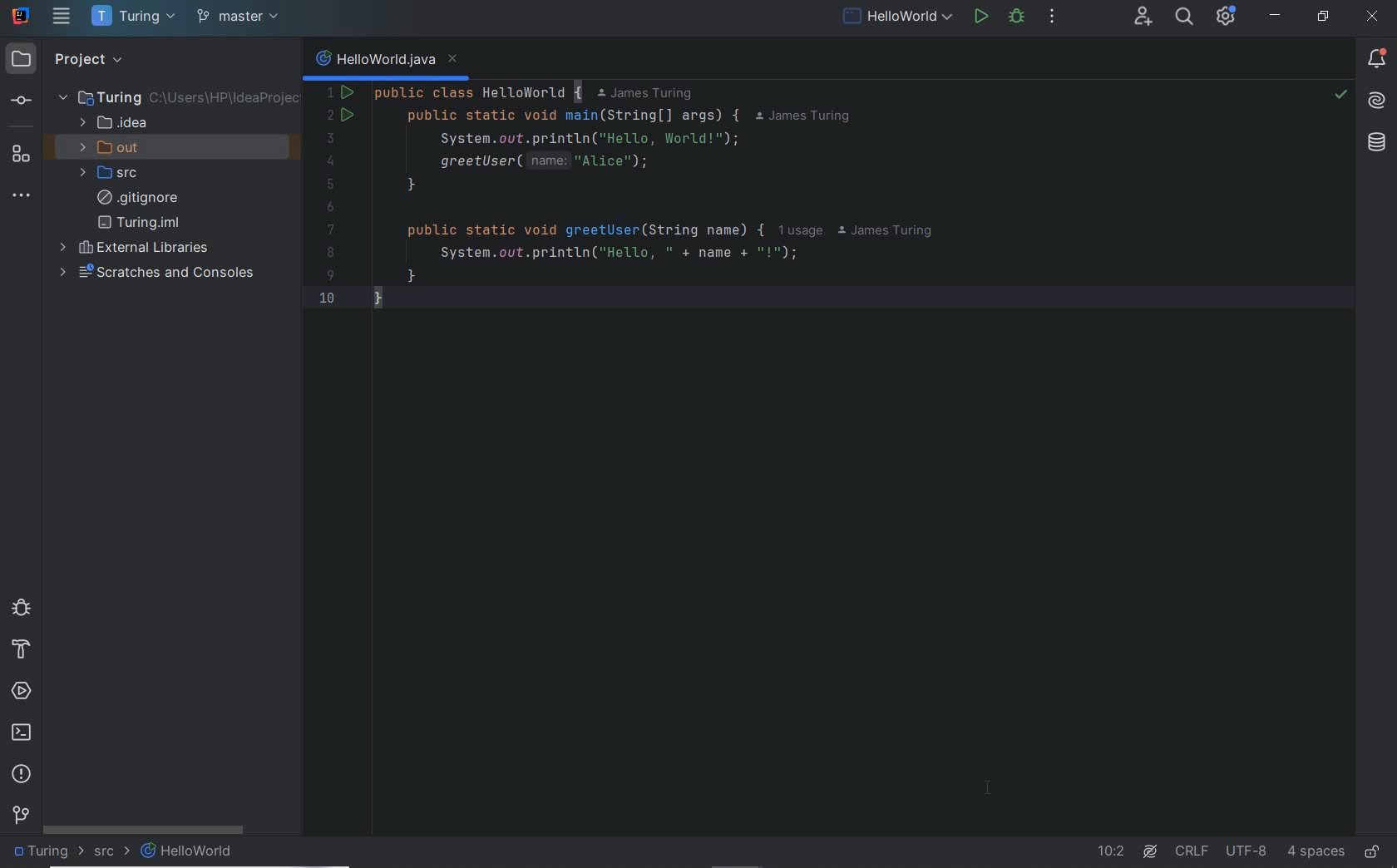 The image size is (1397, 868). I want to click on I-beam cursor, so click(990, 782).